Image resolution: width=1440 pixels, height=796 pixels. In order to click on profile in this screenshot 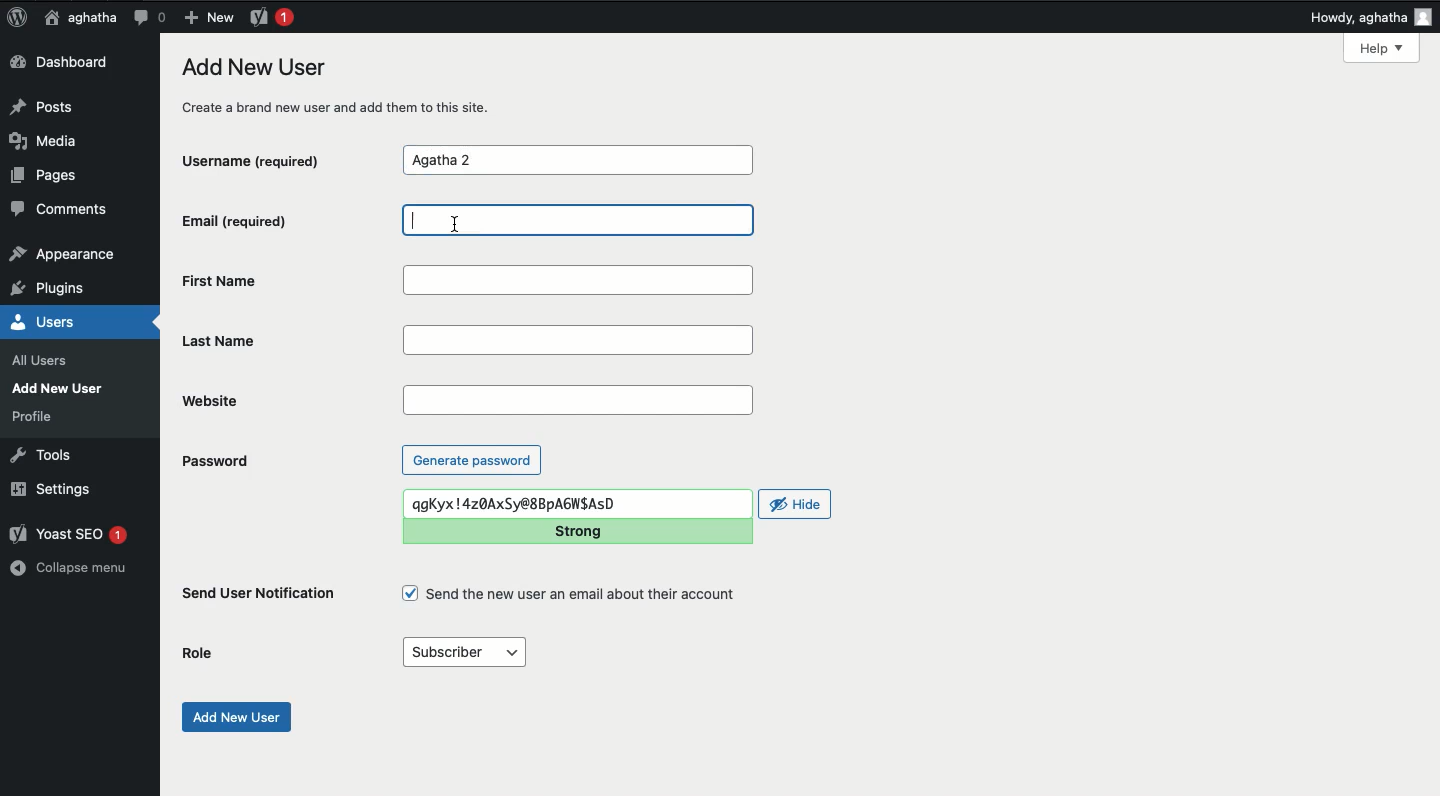, I will do `click(38, 416)`.